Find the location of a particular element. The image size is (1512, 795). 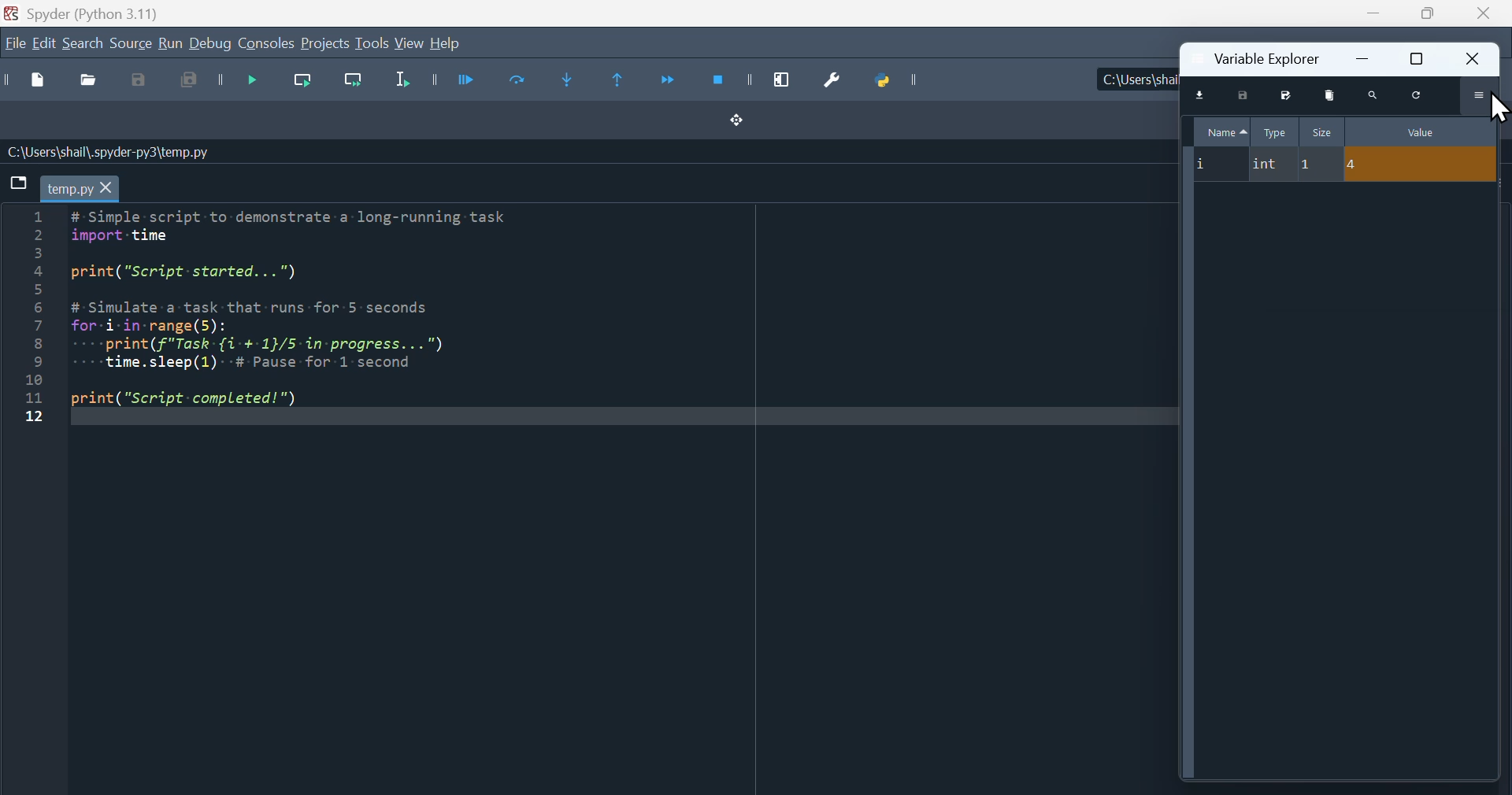

Continue execution until next function is located at coordinates (667, 83).